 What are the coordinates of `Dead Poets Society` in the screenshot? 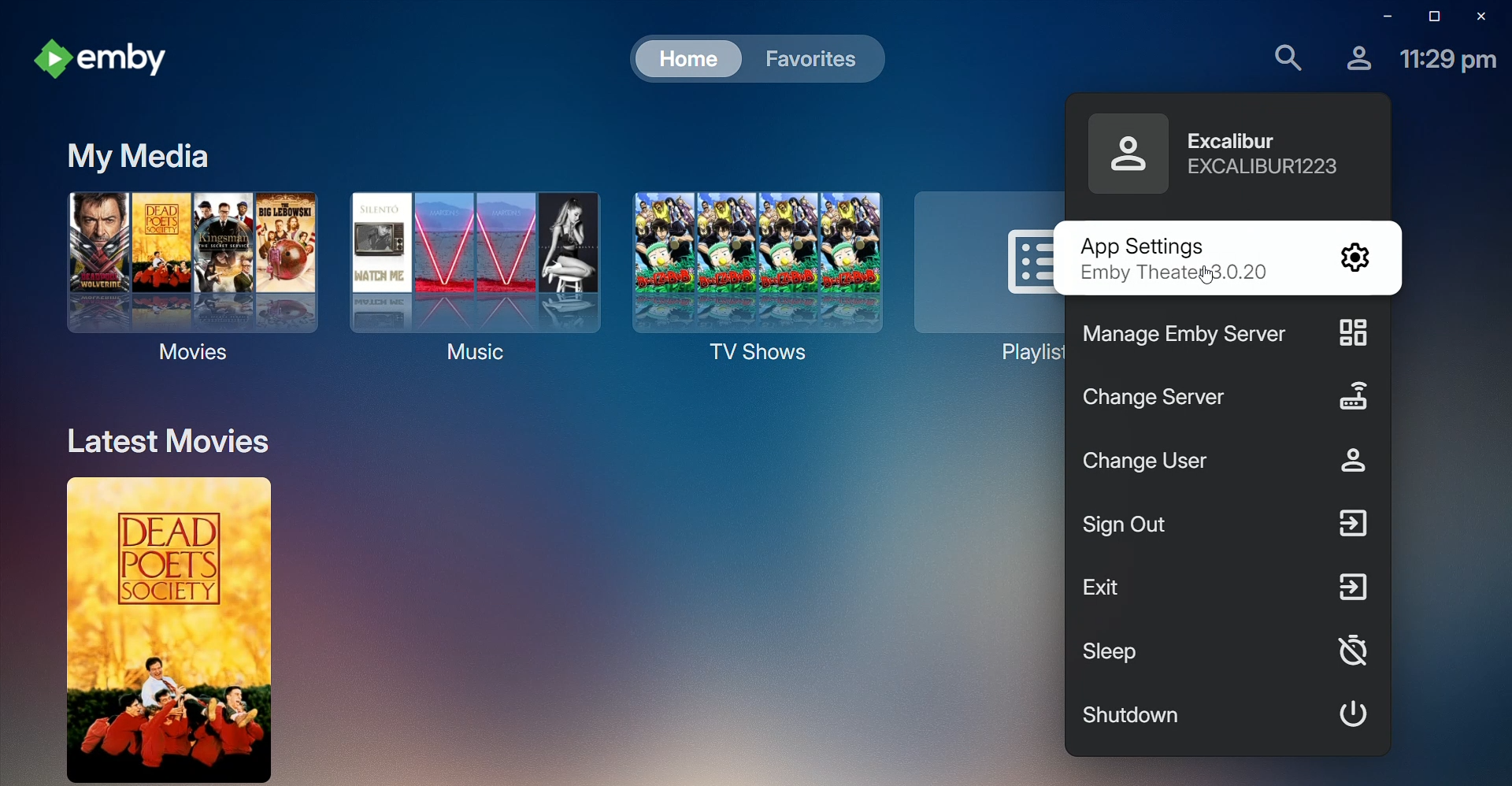 It's located at (156, 630).